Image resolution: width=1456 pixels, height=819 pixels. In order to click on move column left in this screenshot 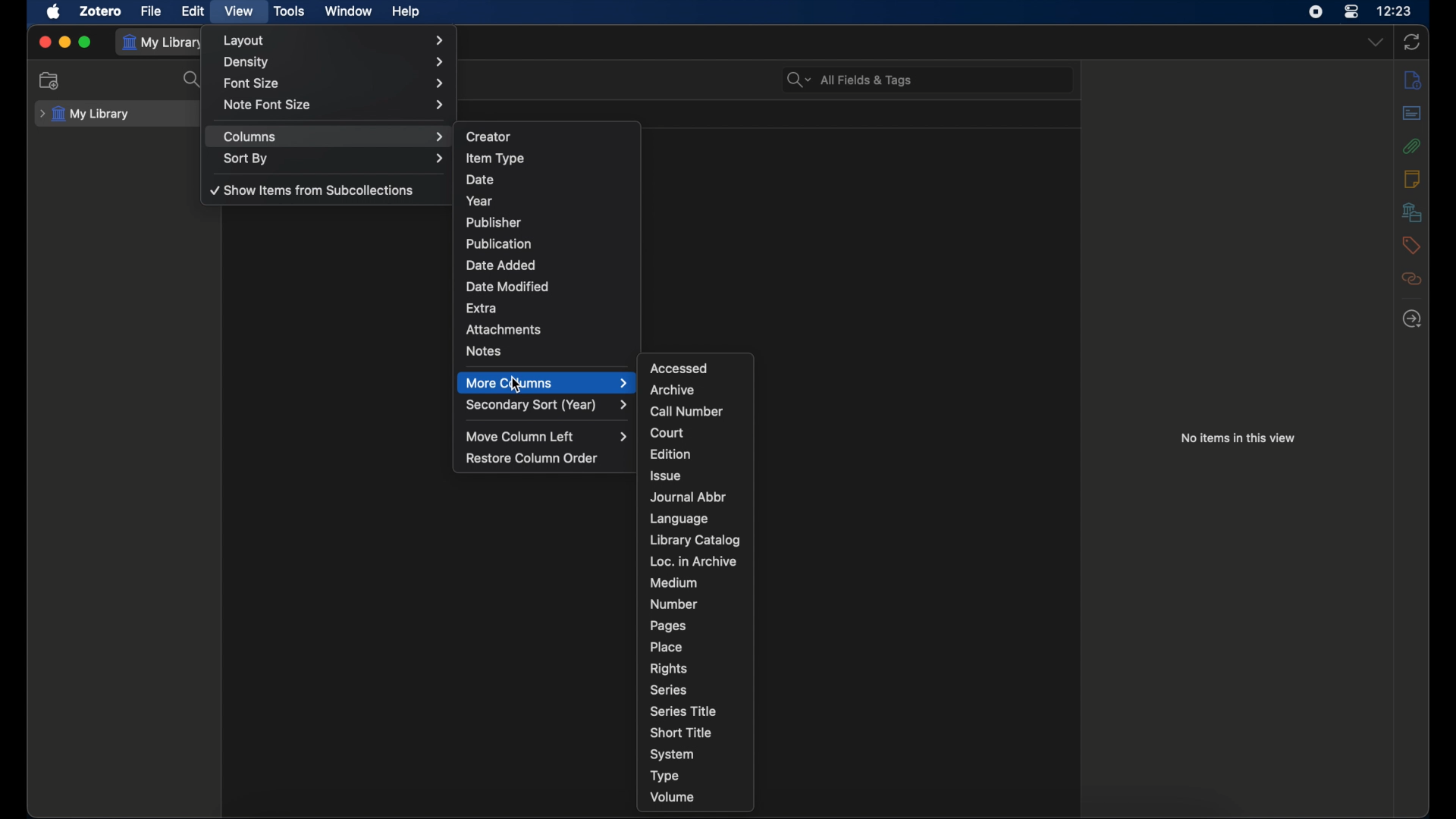, I will do `click(548, 437)`.